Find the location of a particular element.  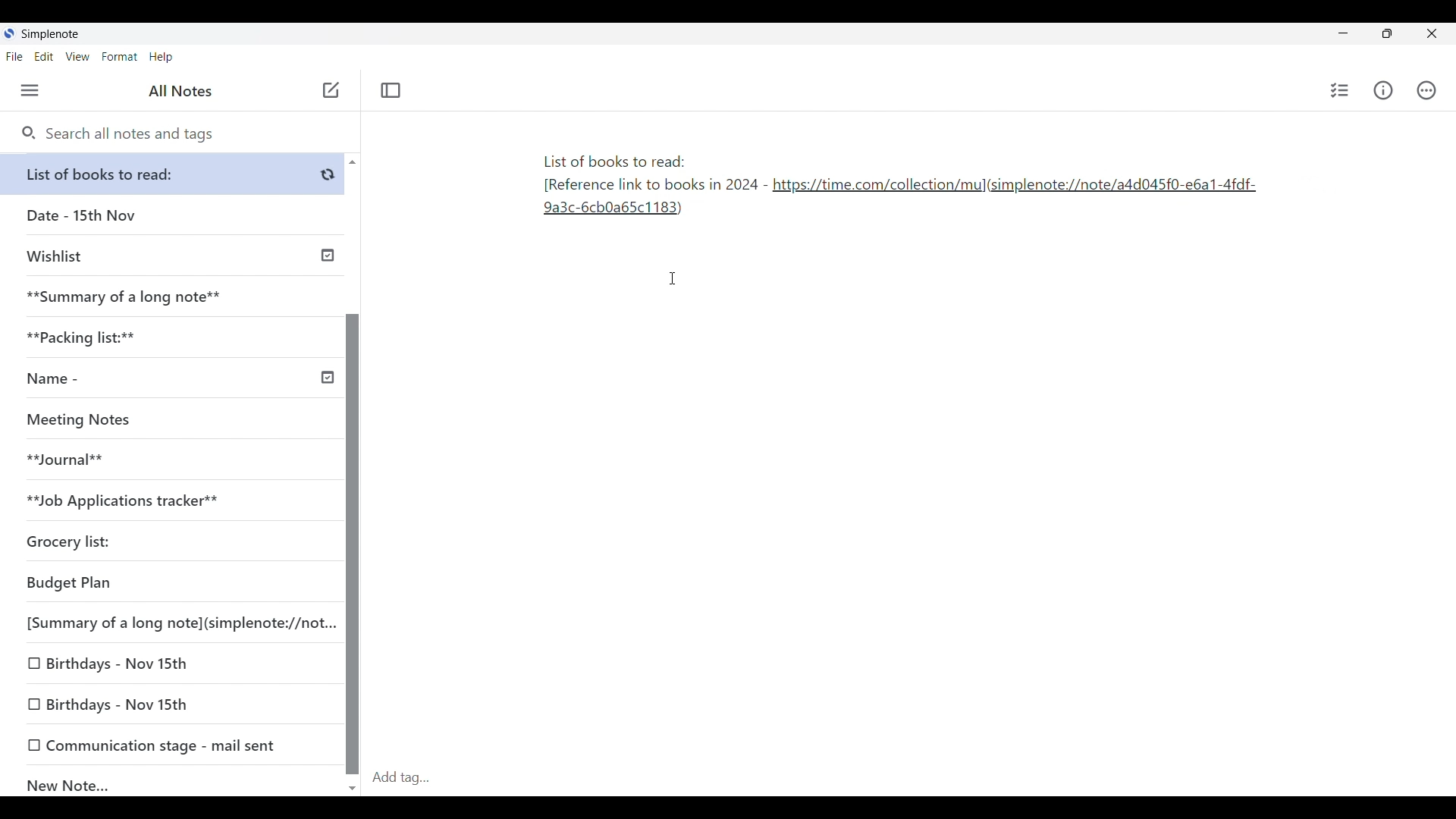

Birthdays - Nov 15th is located at coordinates (174, 705).